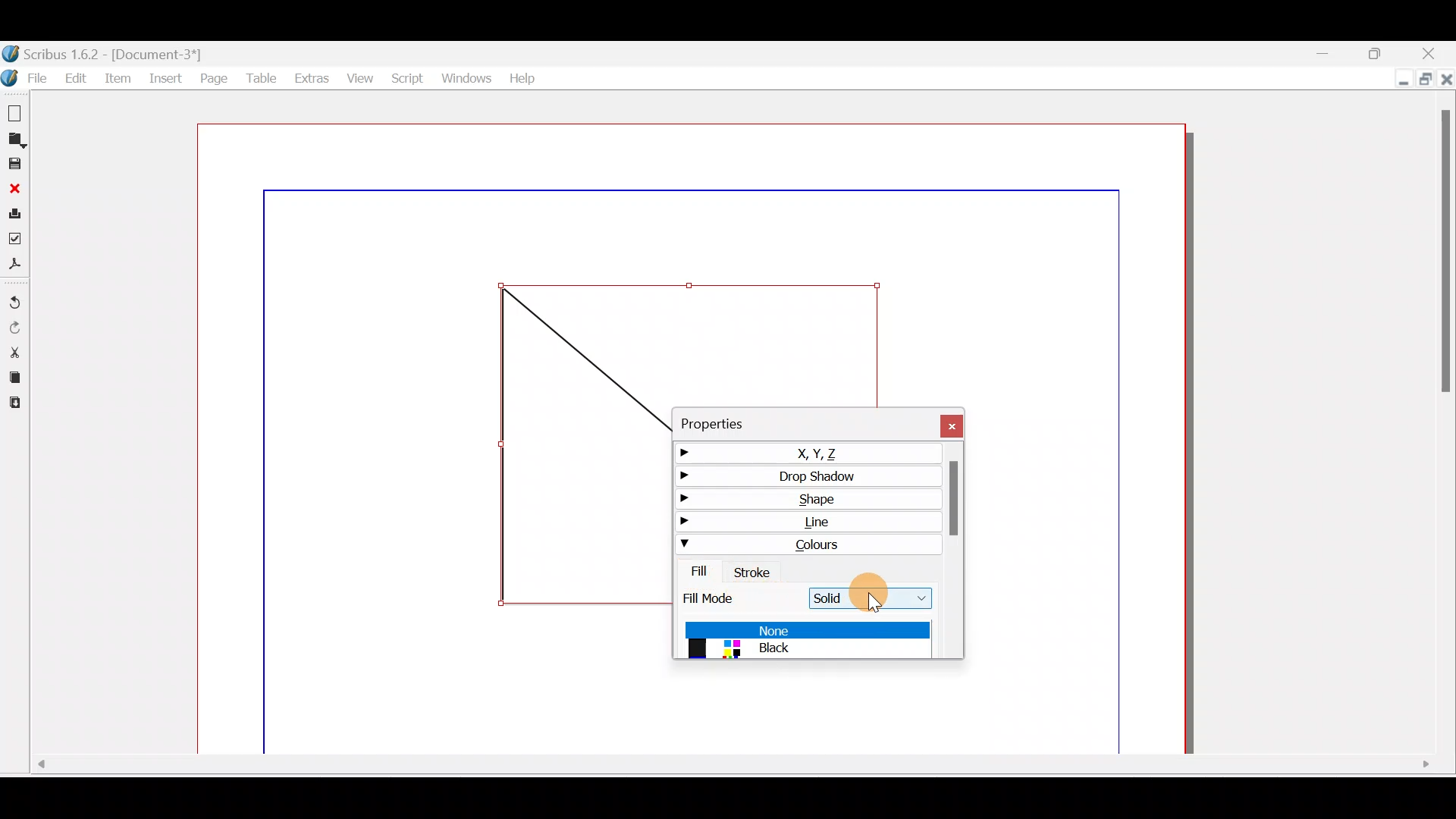 Image resolution: width=1456 pixels, height=819 pixels. Describe the element at coordinates (722, 598) in the screenshot. I see `Stroke mode` at that location.